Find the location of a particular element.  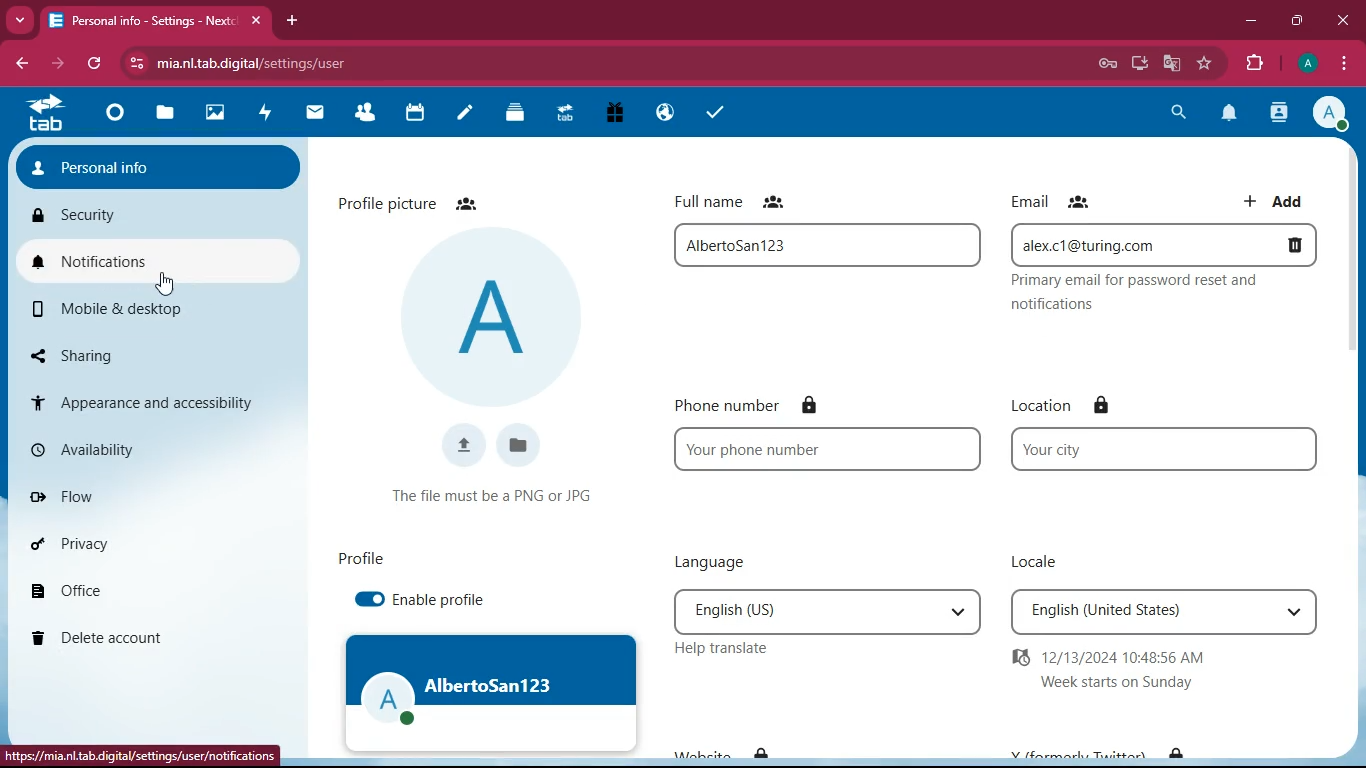

English(United States) is located at coordinates (1167, 612).